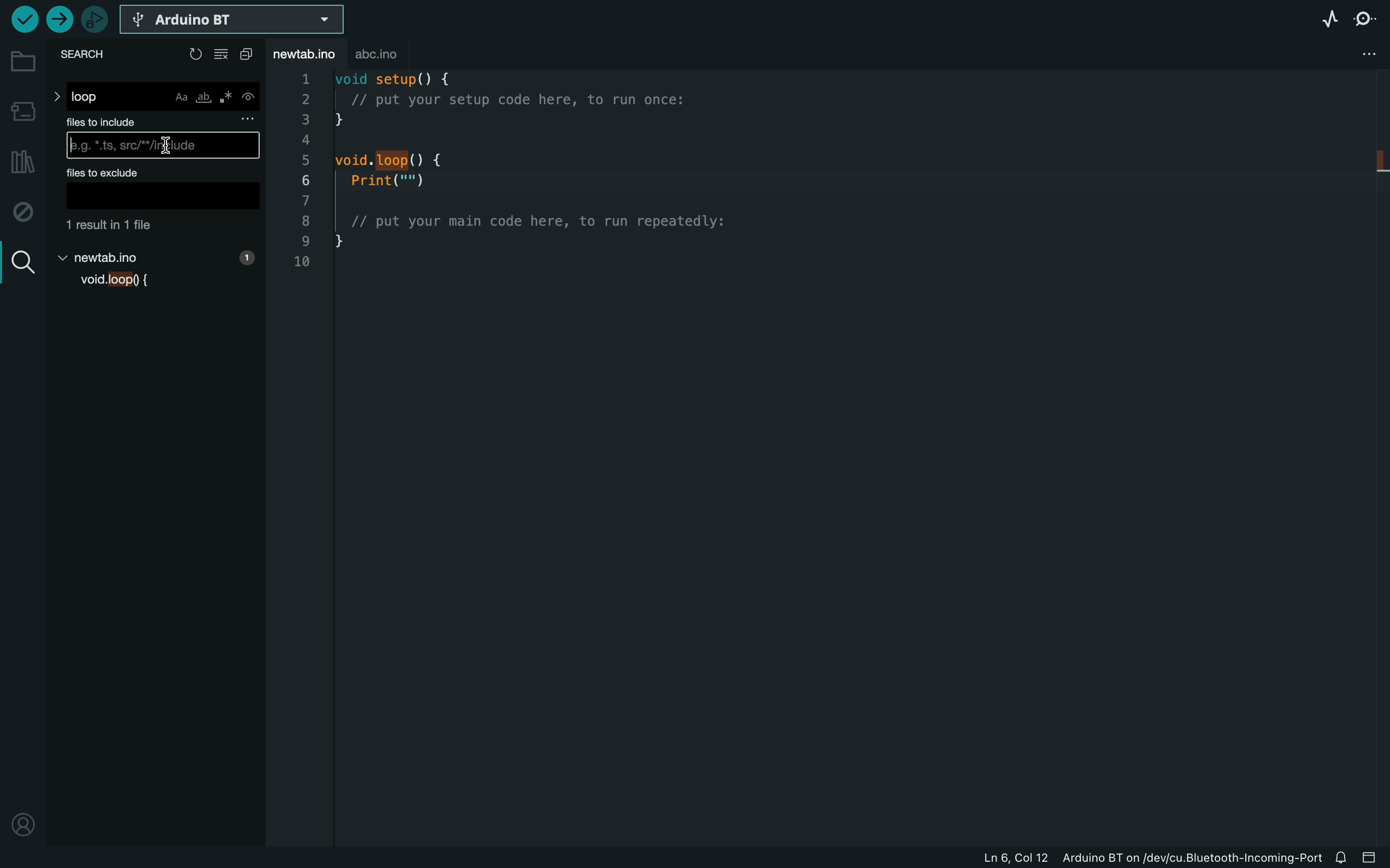 This screenshot has width=1390, height=868. I want to click on void setup() {// put your setup code here, to run once:}void. loop() {Print("")// put your main code here, to run repeatedly:}, so click(537, 184).